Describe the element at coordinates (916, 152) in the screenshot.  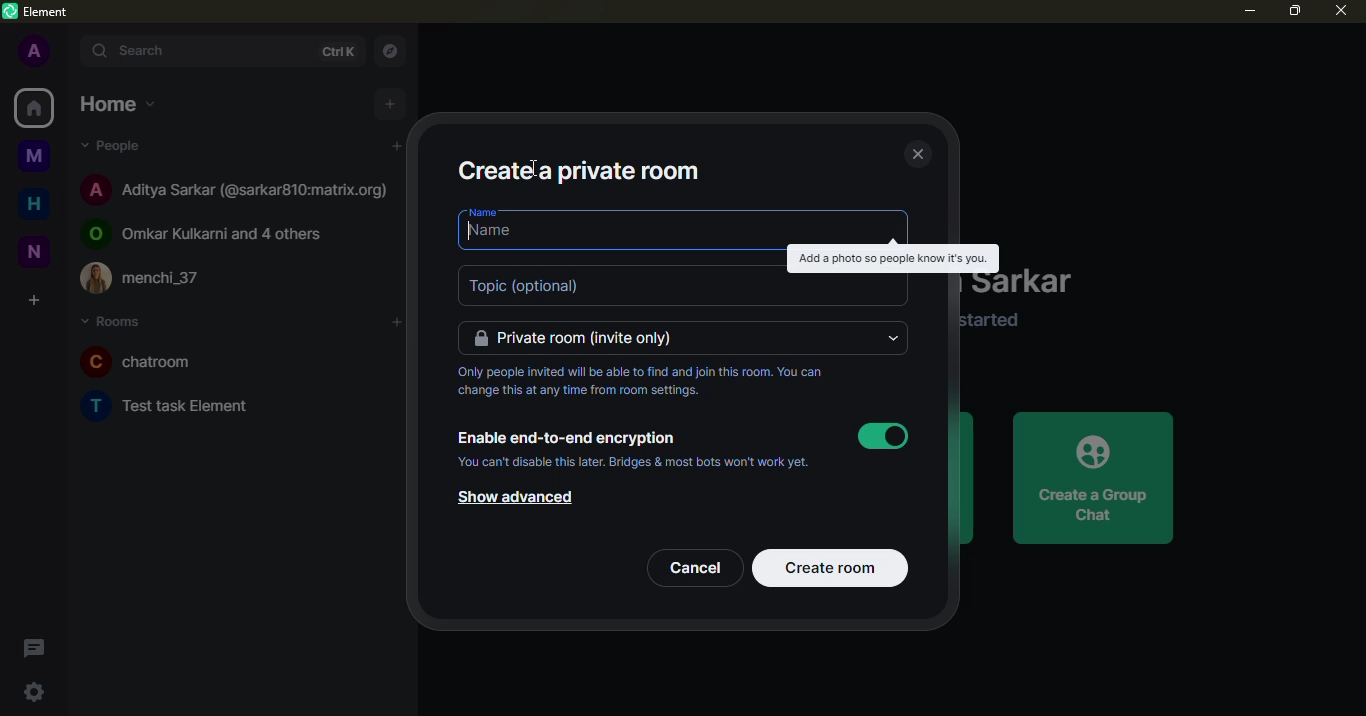
I see `close` at that location.